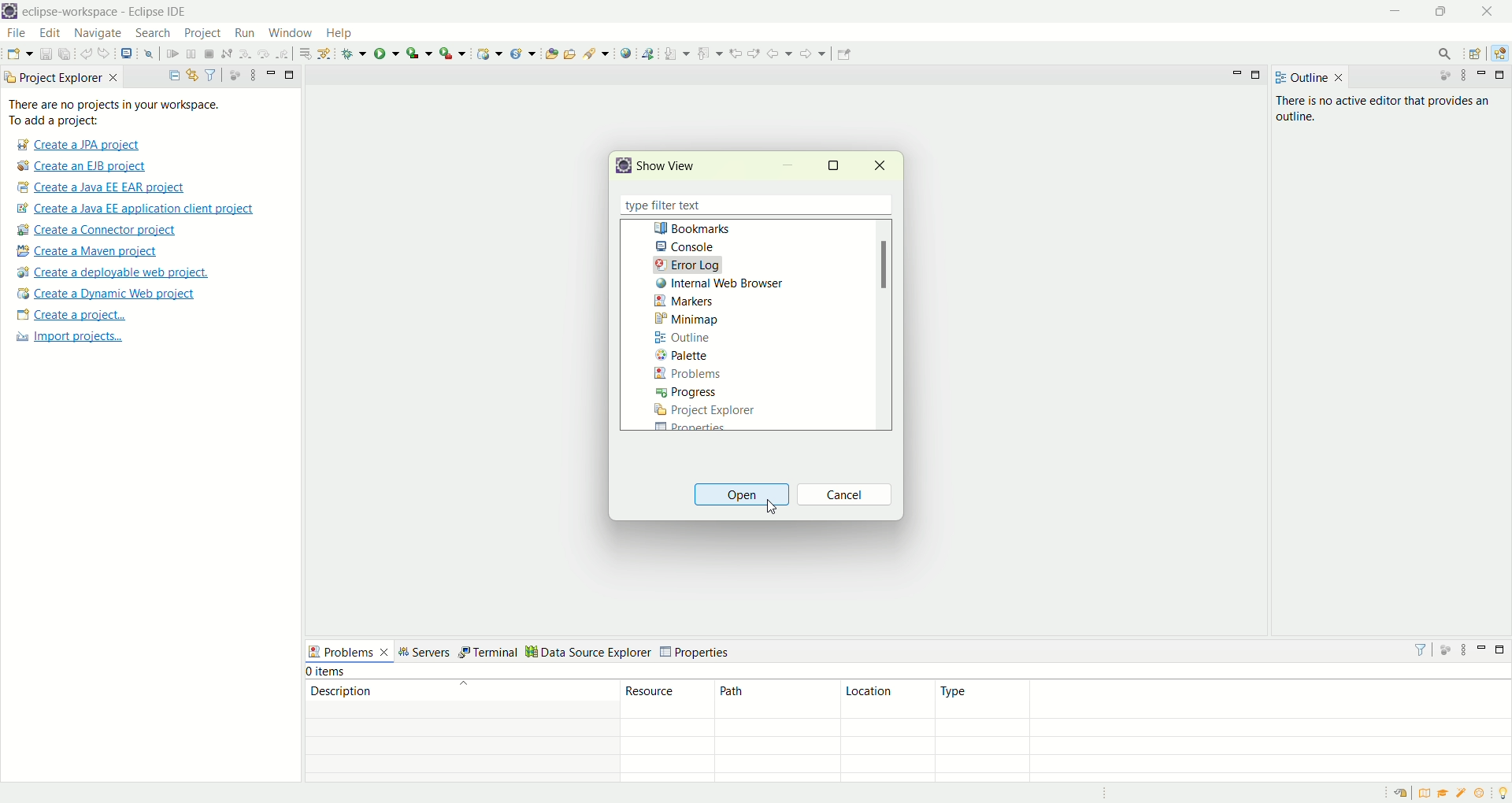 The image size is (1512, 803). Describe the element at coordinates (154, 33) in the screenshot. I see `search` at that location.